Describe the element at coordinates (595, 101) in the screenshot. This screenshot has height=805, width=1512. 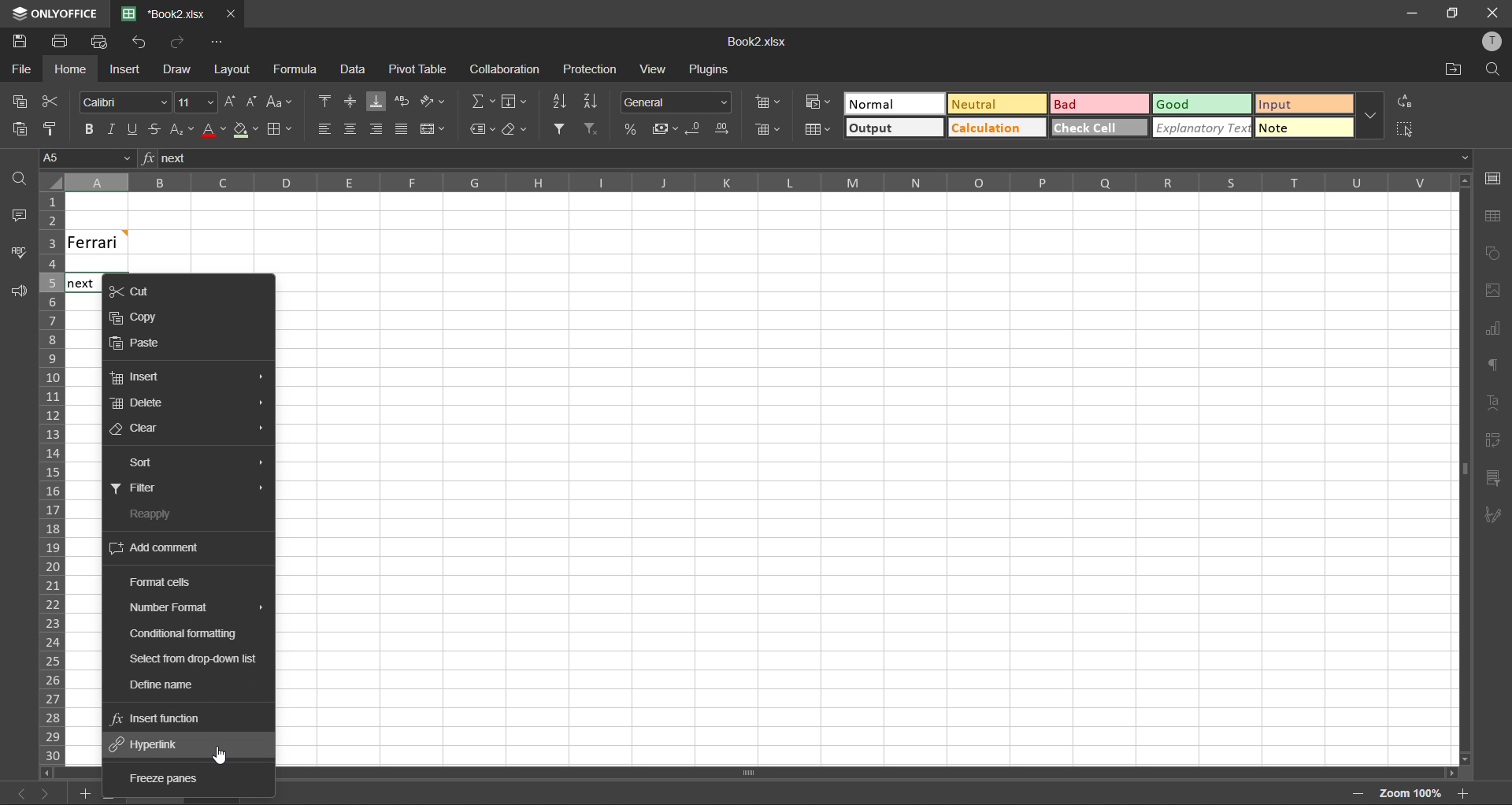
I see `sort descending` at that location.